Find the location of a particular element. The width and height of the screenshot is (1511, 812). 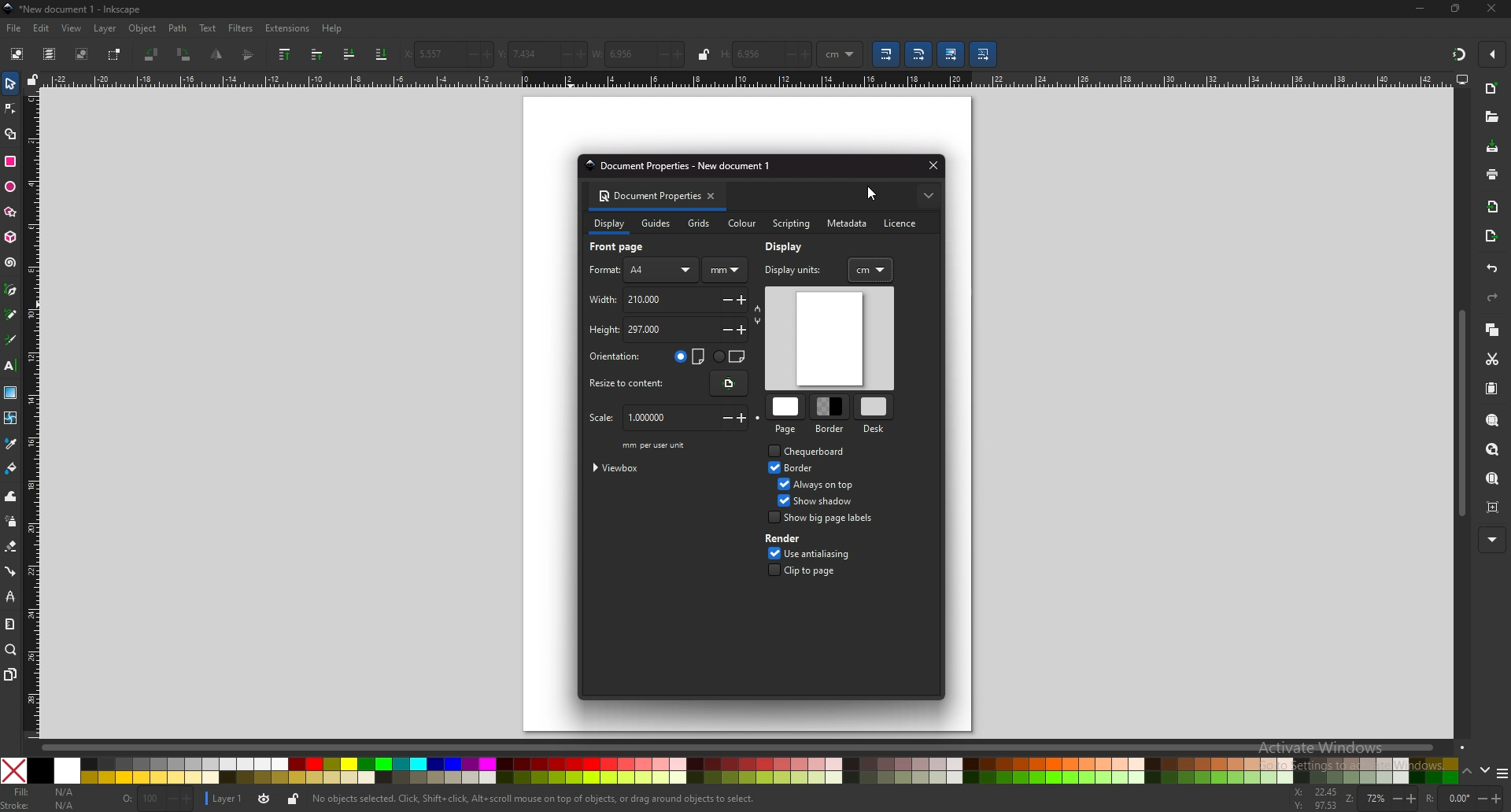

minimize is located at coordinates (1420, 8).